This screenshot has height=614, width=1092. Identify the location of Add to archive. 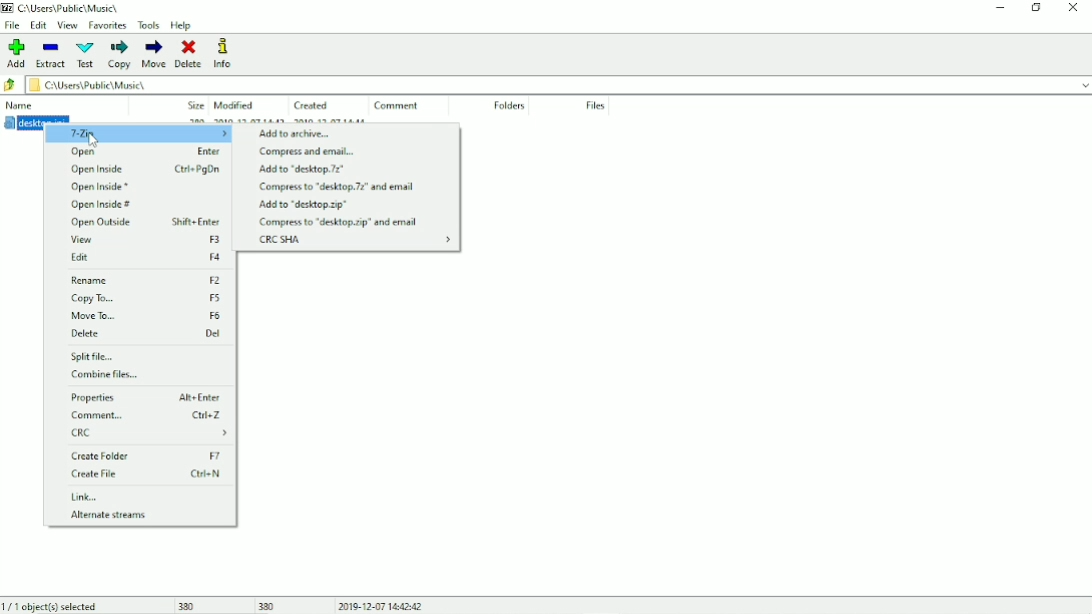
(295, 135).